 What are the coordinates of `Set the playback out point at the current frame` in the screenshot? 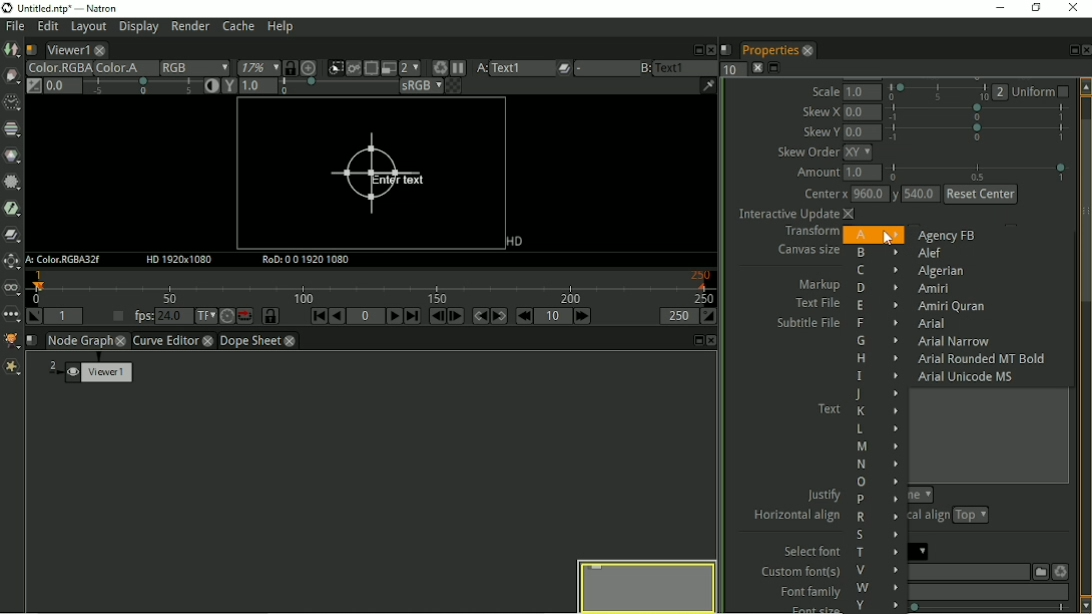 It's located at (710, 316).